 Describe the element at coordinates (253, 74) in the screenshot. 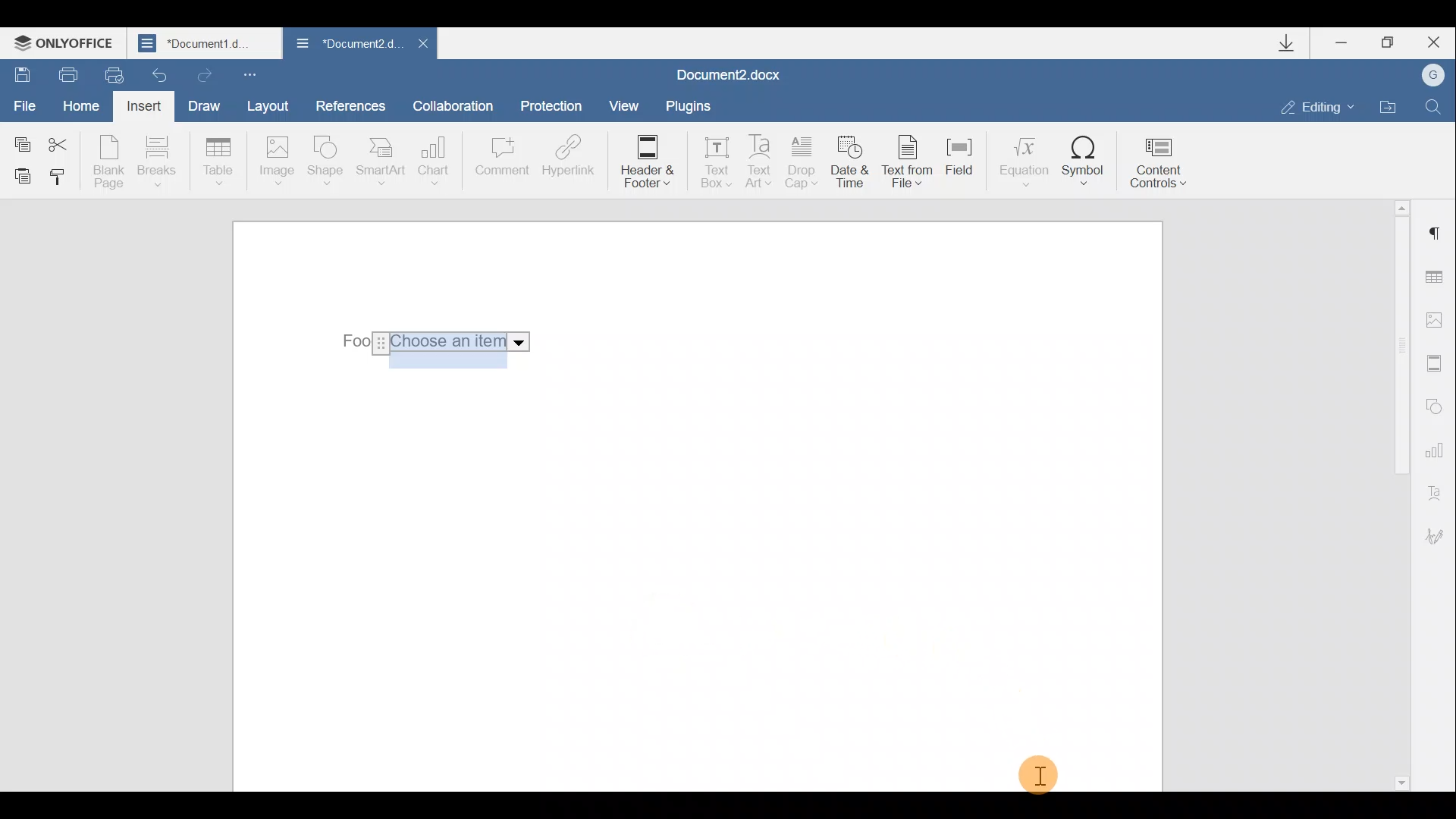

I see `Customize quick access toolbar` at that location.